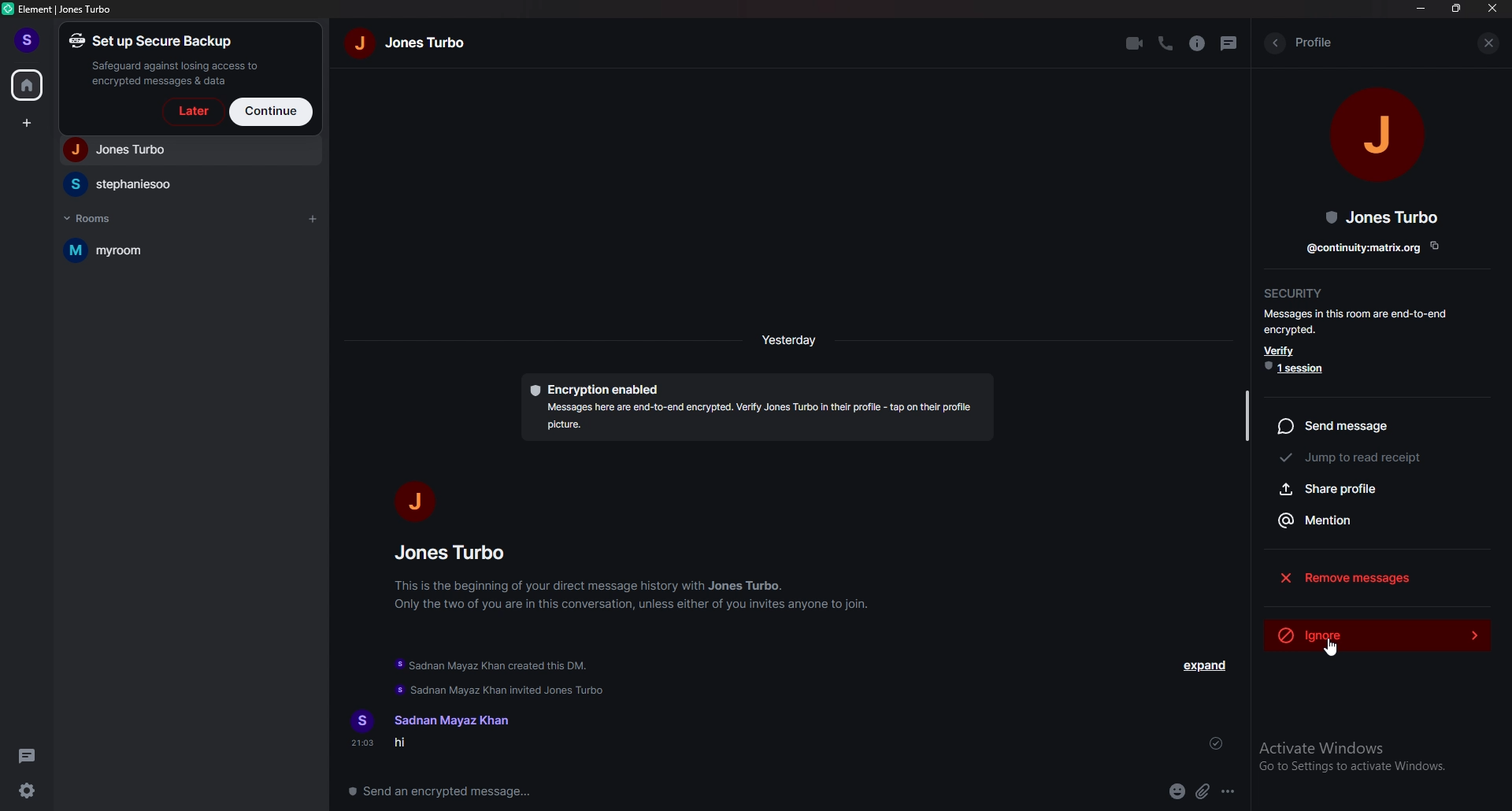  I want to click on expand, so click(1206, 665).